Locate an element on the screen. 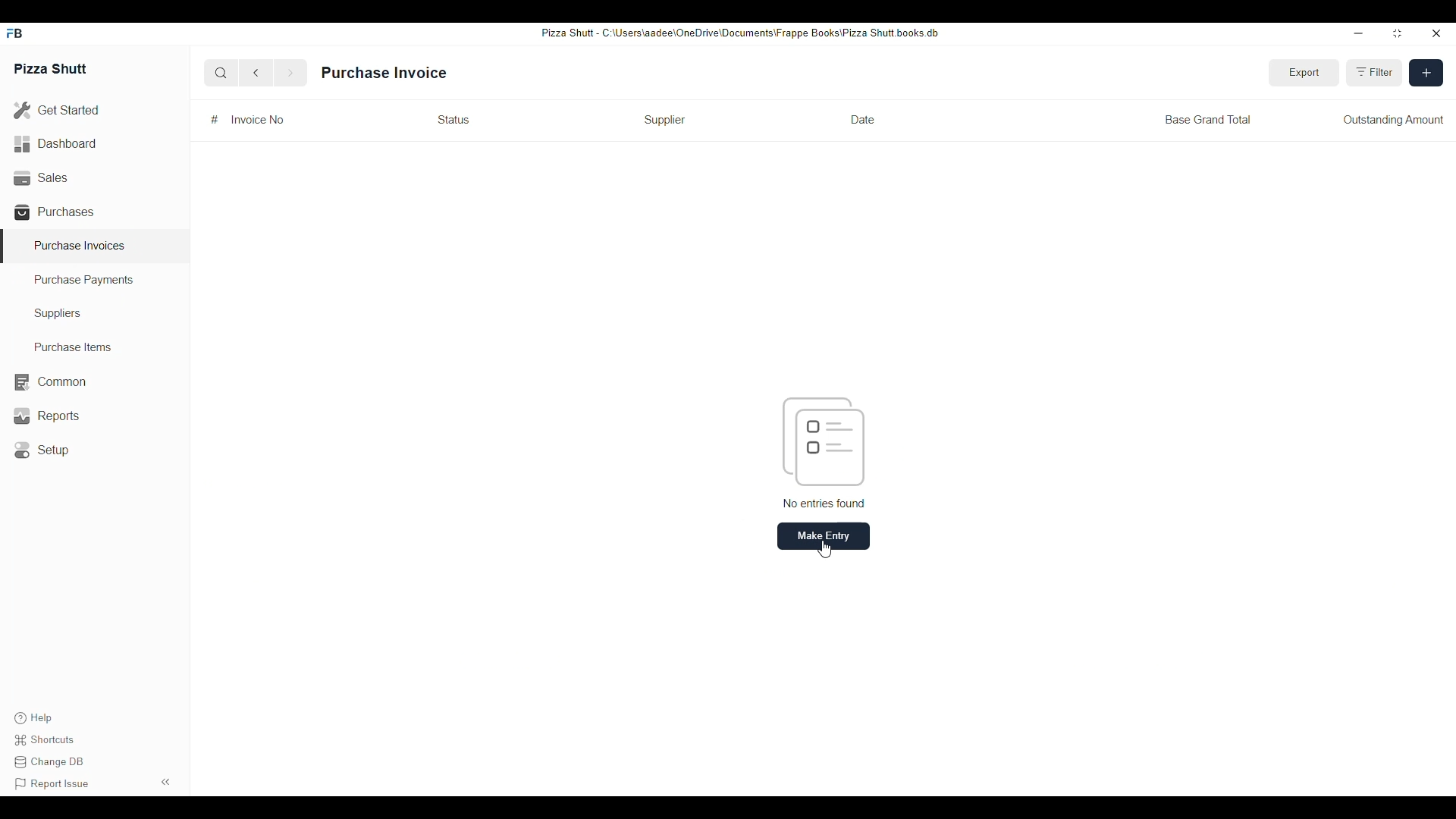 The width and height of the screenshot is (1456, 819). Outstanding Amount is located at coordinates (1392, 118).